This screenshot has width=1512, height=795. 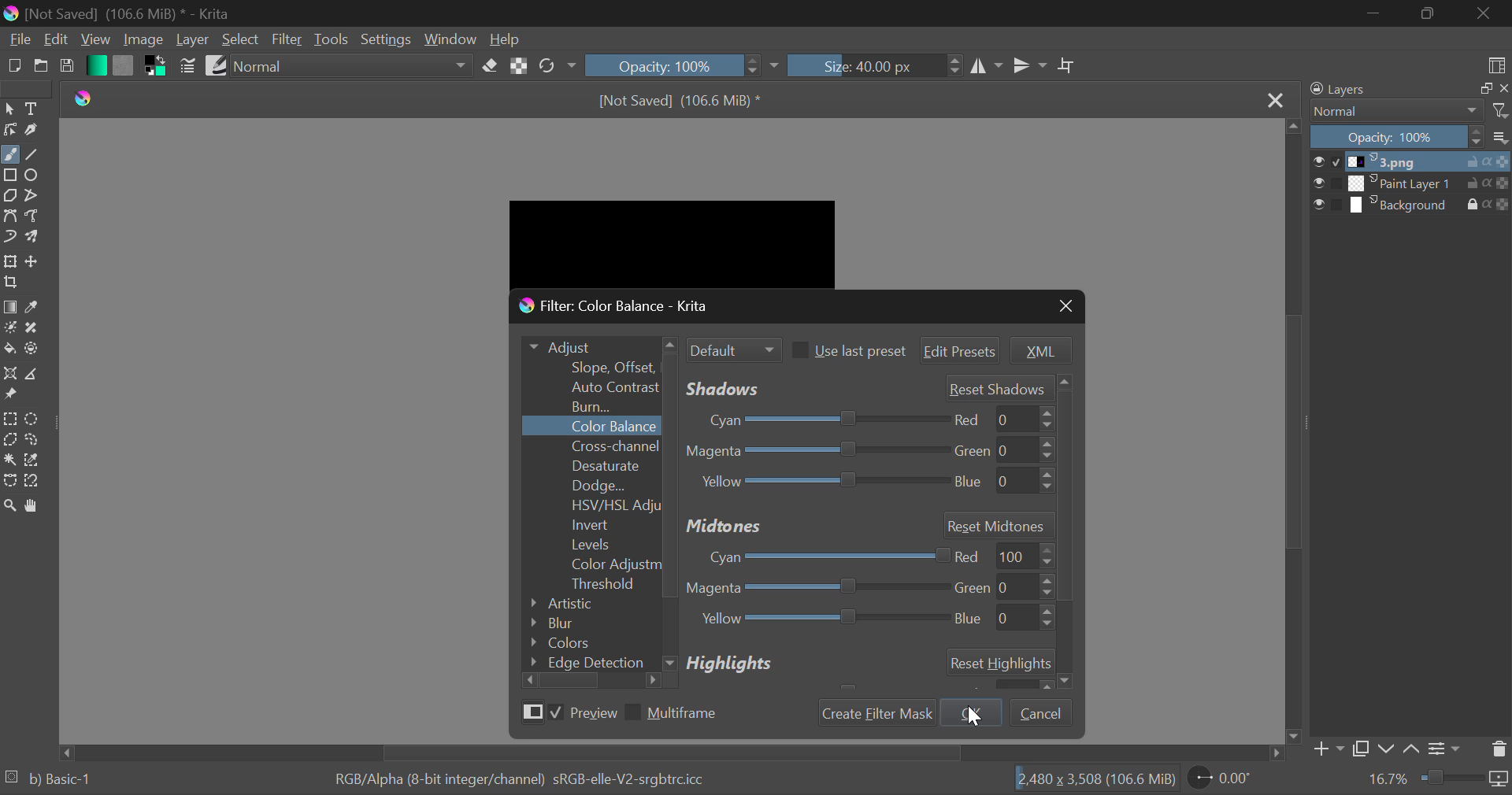 I want to click on Artistic, so click(x=584, y=604).